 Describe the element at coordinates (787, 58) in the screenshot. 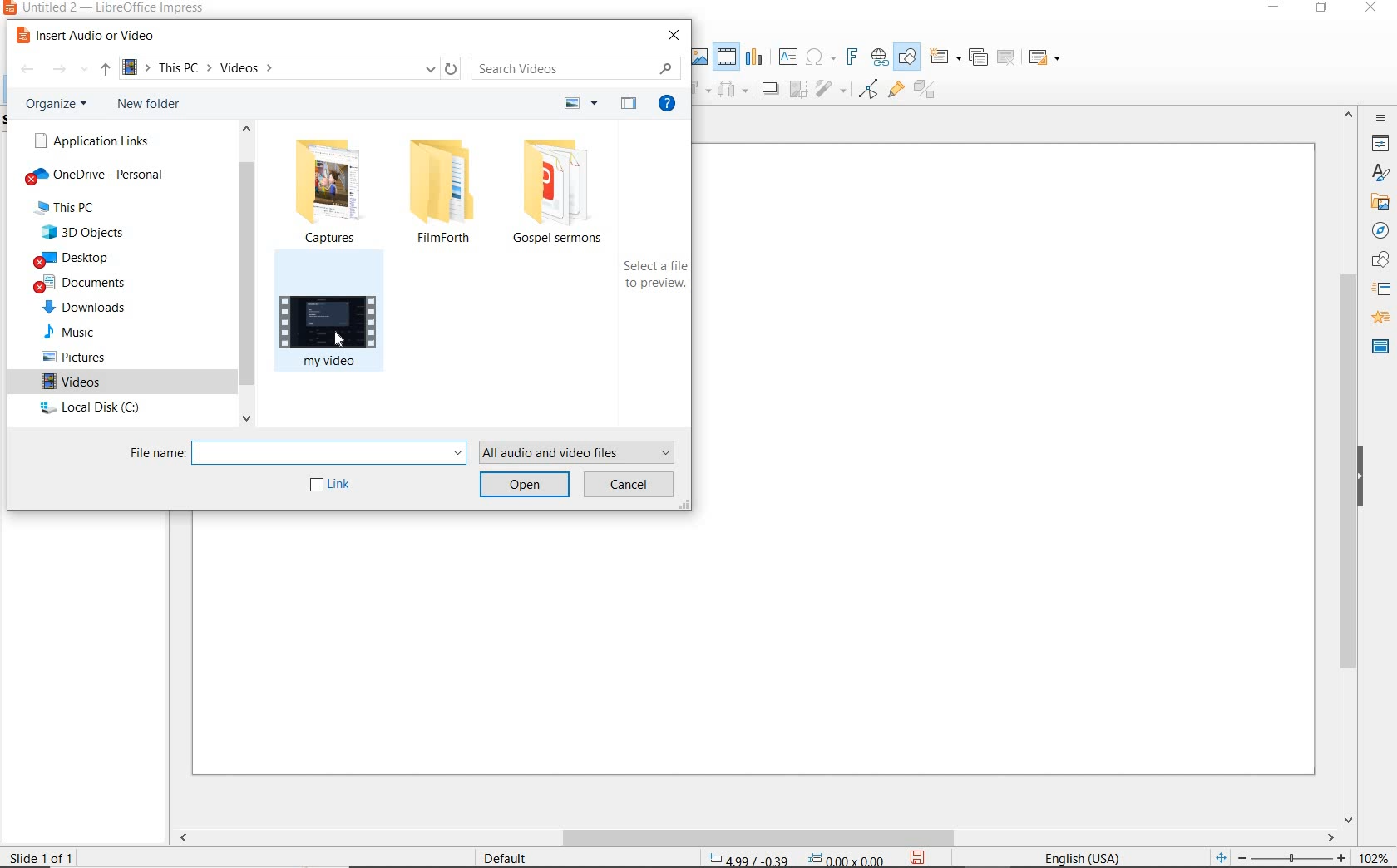

I see `` at that location.